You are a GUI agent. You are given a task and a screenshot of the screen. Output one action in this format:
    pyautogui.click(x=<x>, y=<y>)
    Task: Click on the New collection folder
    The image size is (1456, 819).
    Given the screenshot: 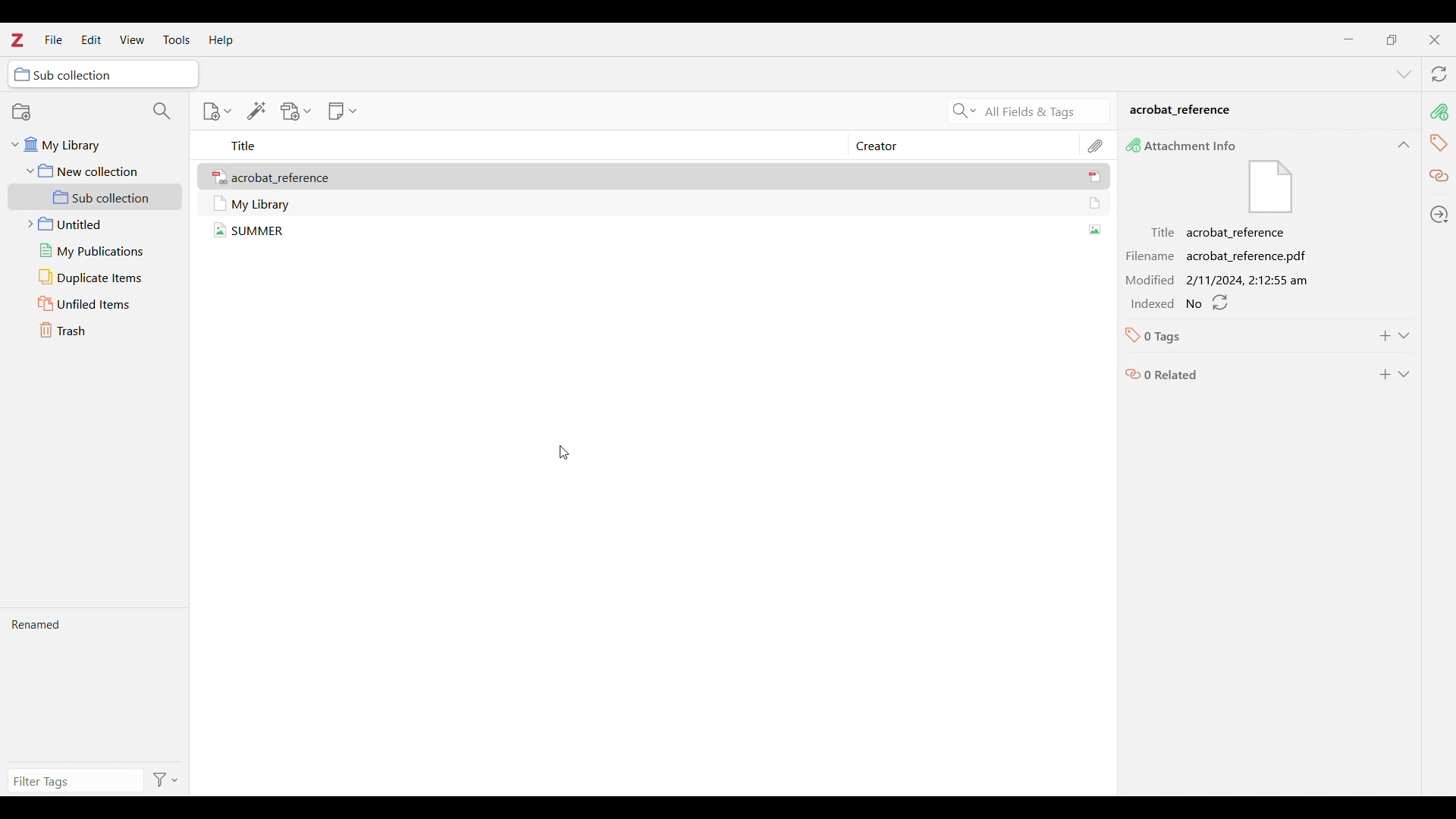 What is the action you would take?
    pyautogui.click(x=94, y=171)
    